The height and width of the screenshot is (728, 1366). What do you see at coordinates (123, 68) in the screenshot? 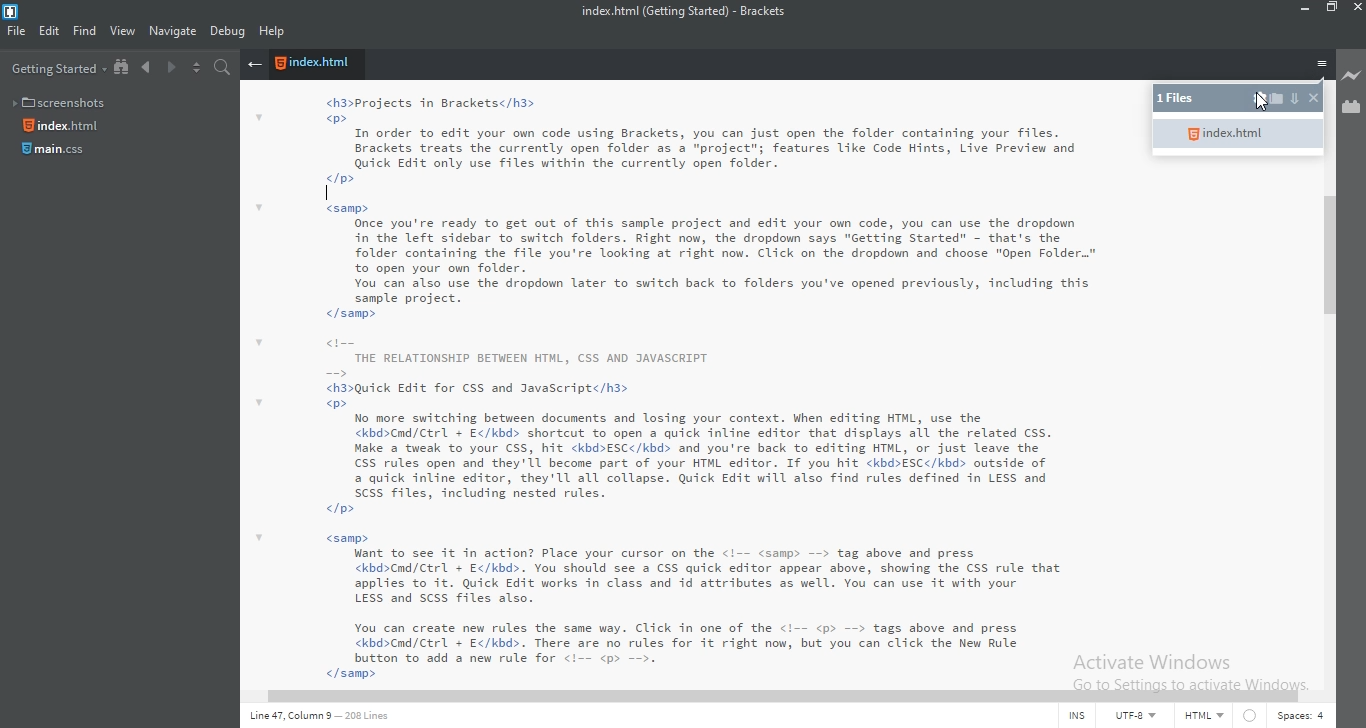
I see `Show file tree` at bounding box center [123, 68].